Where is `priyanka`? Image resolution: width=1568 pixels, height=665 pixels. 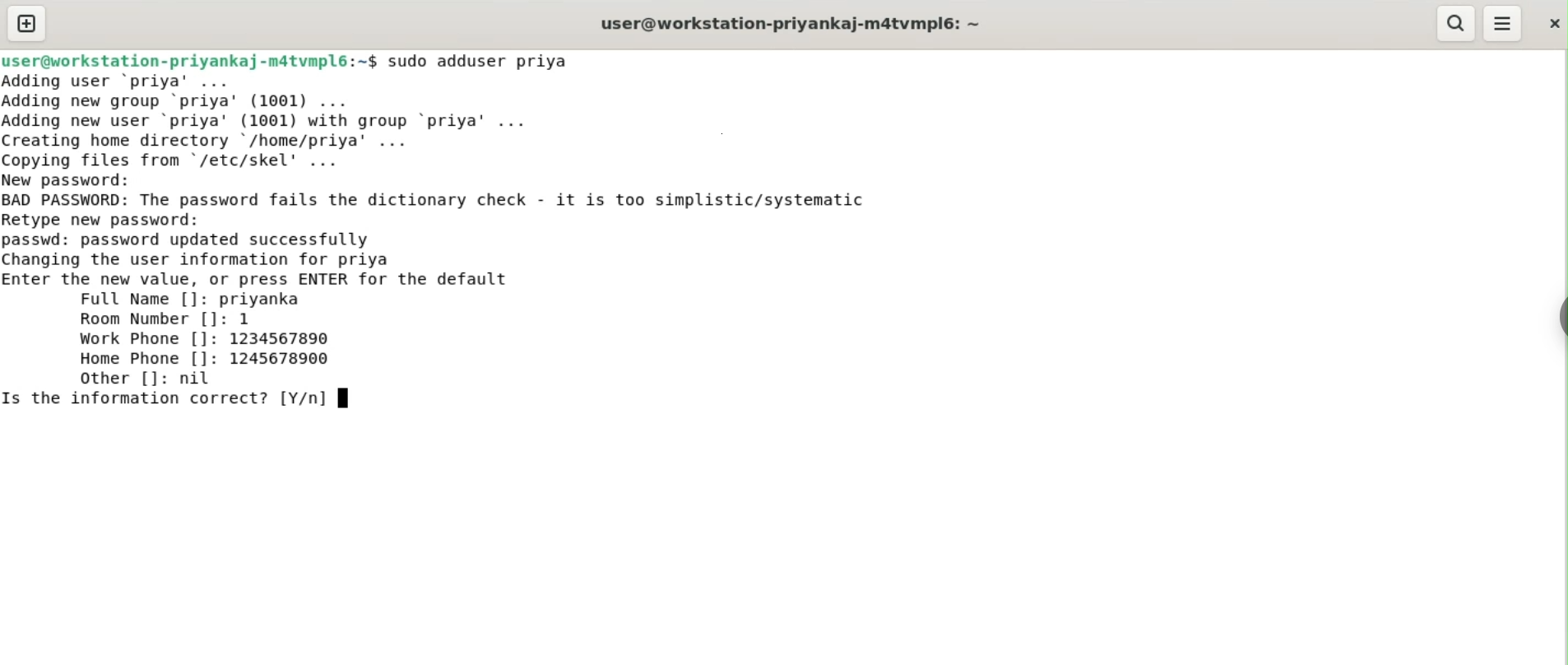
priyanka is located at coordinates (264, 299).